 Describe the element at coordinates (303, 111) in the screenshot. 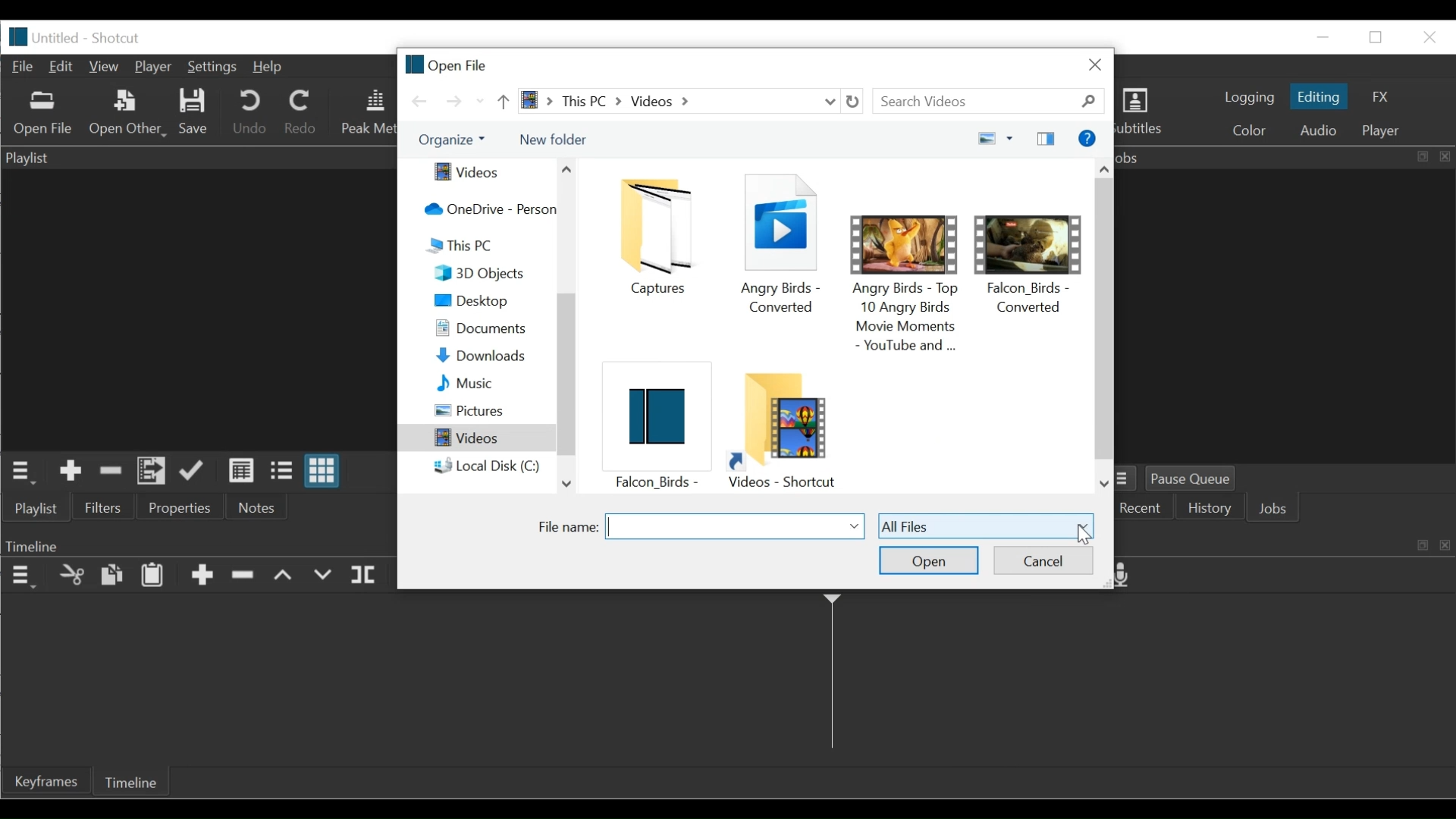

I see `Redo` at that location.